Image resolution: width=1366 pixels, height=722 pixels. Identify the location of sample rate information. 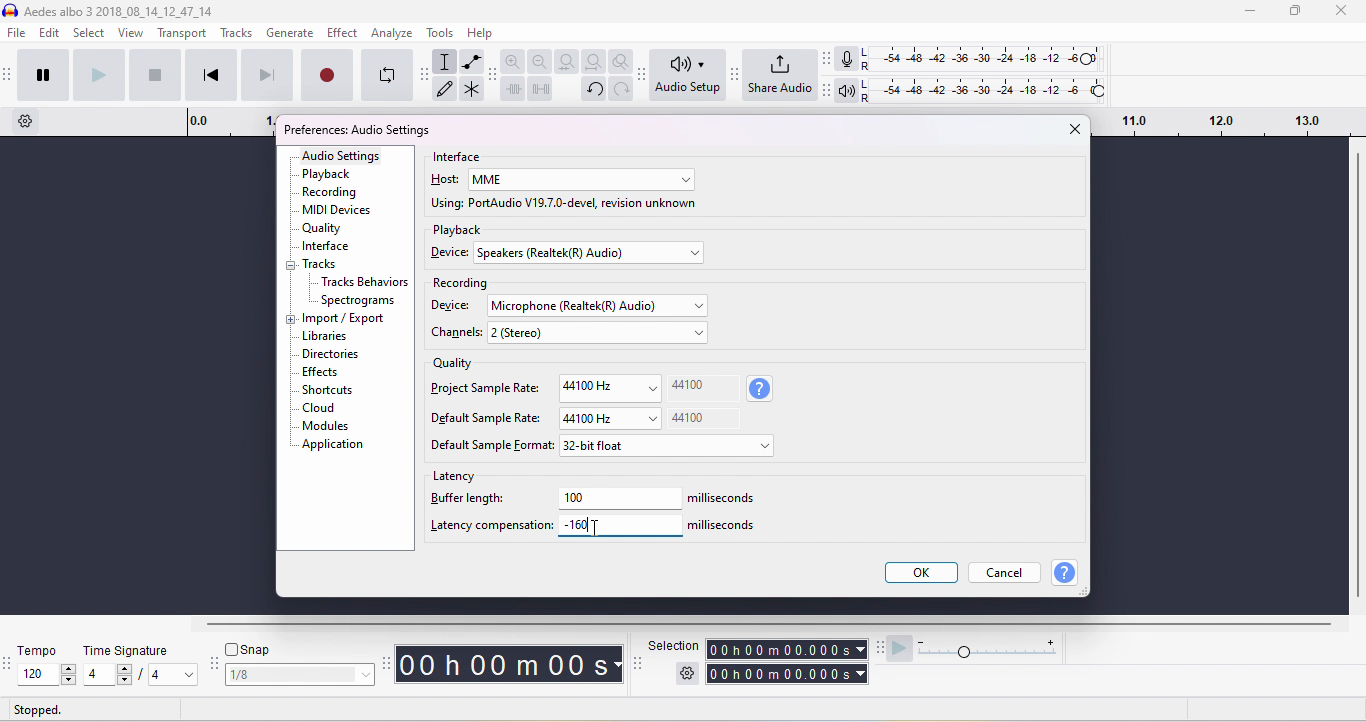
(761, 389).